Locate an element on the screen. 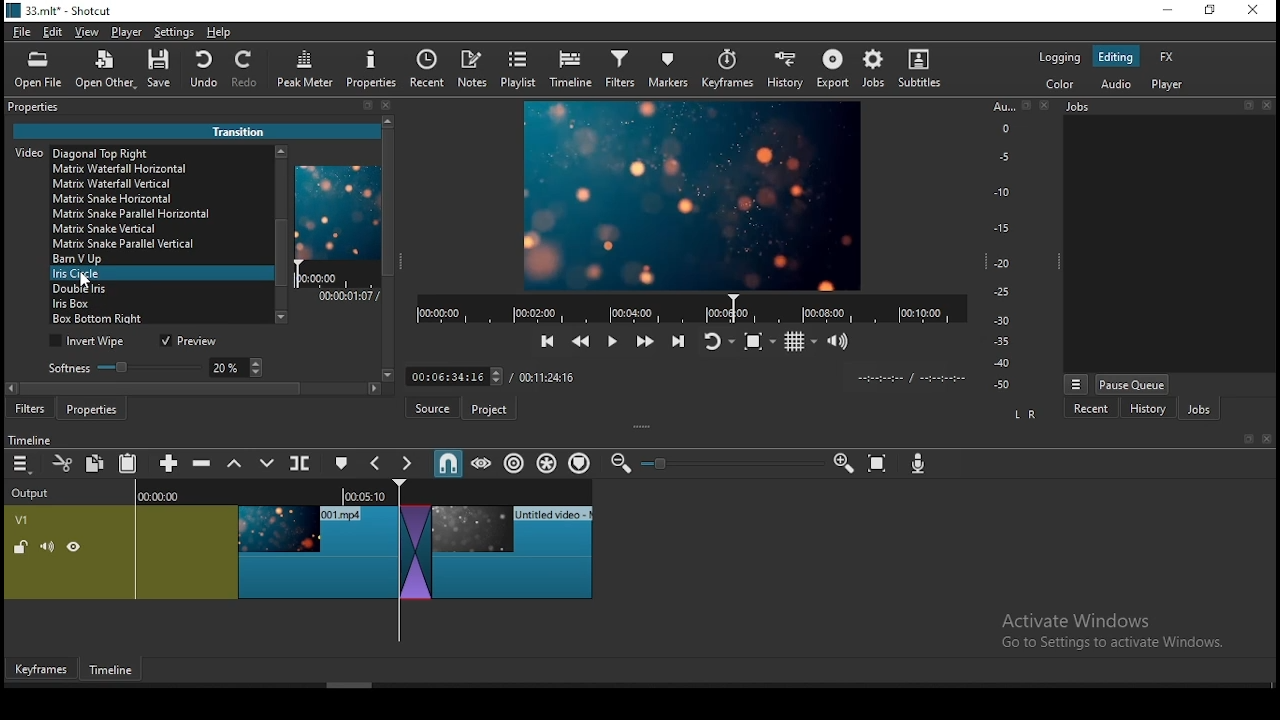 This screenshot has width=1280, height=720. Timeframe is located at coordinates (116, 672).